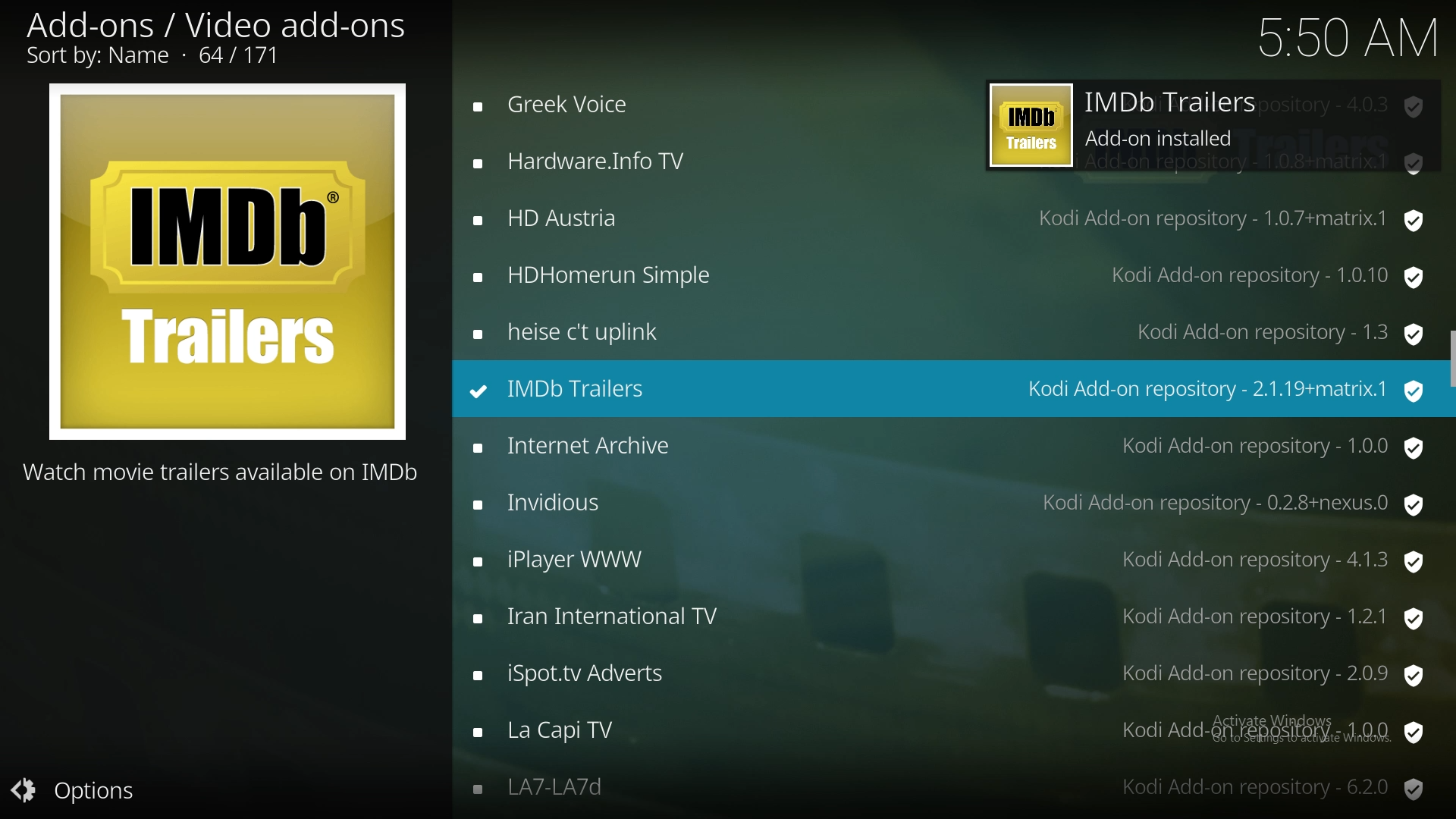 This screenshot has width=1456, height=819. Describe the element at coordinates (952, 163) in the screenshot. I see `add on` at that location.